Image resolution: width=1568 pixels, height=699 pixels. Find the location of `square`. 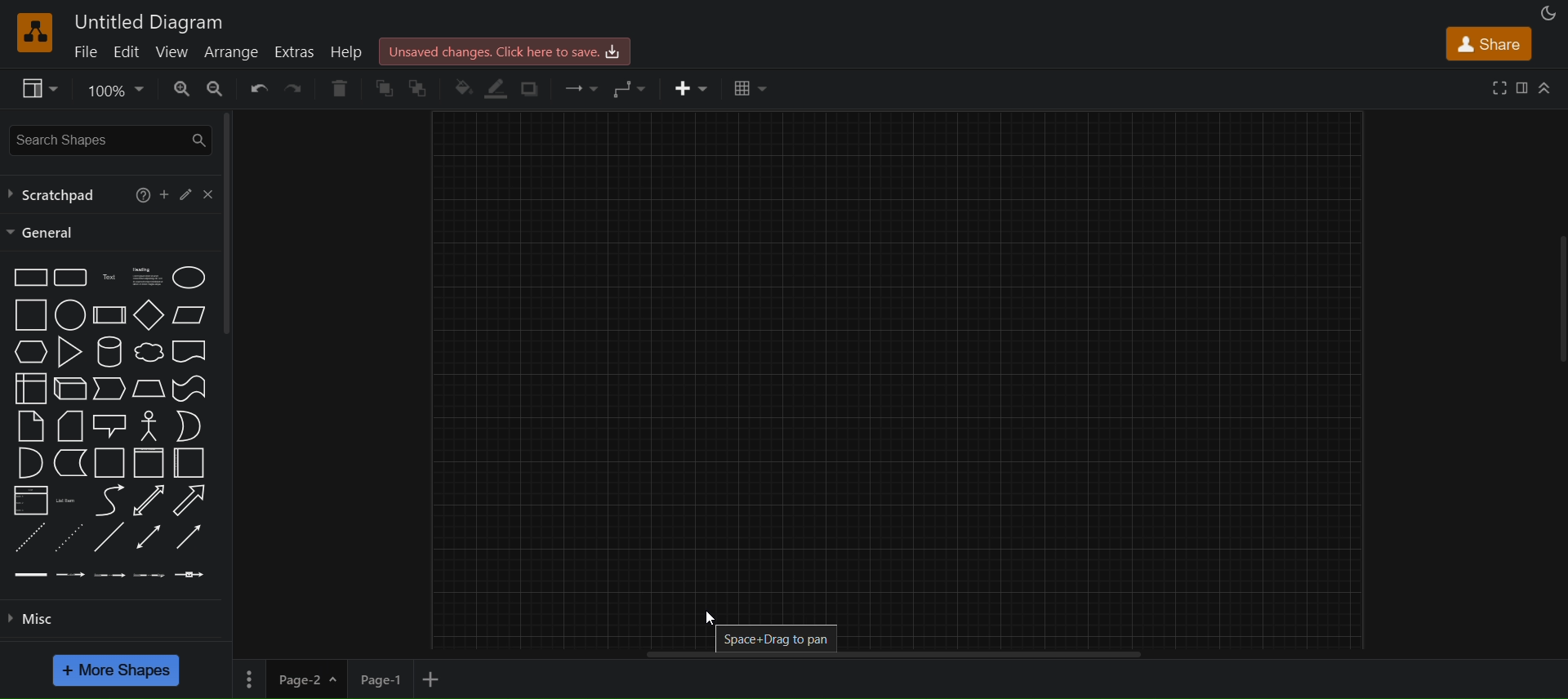

square is located at coordinates (29, 315).